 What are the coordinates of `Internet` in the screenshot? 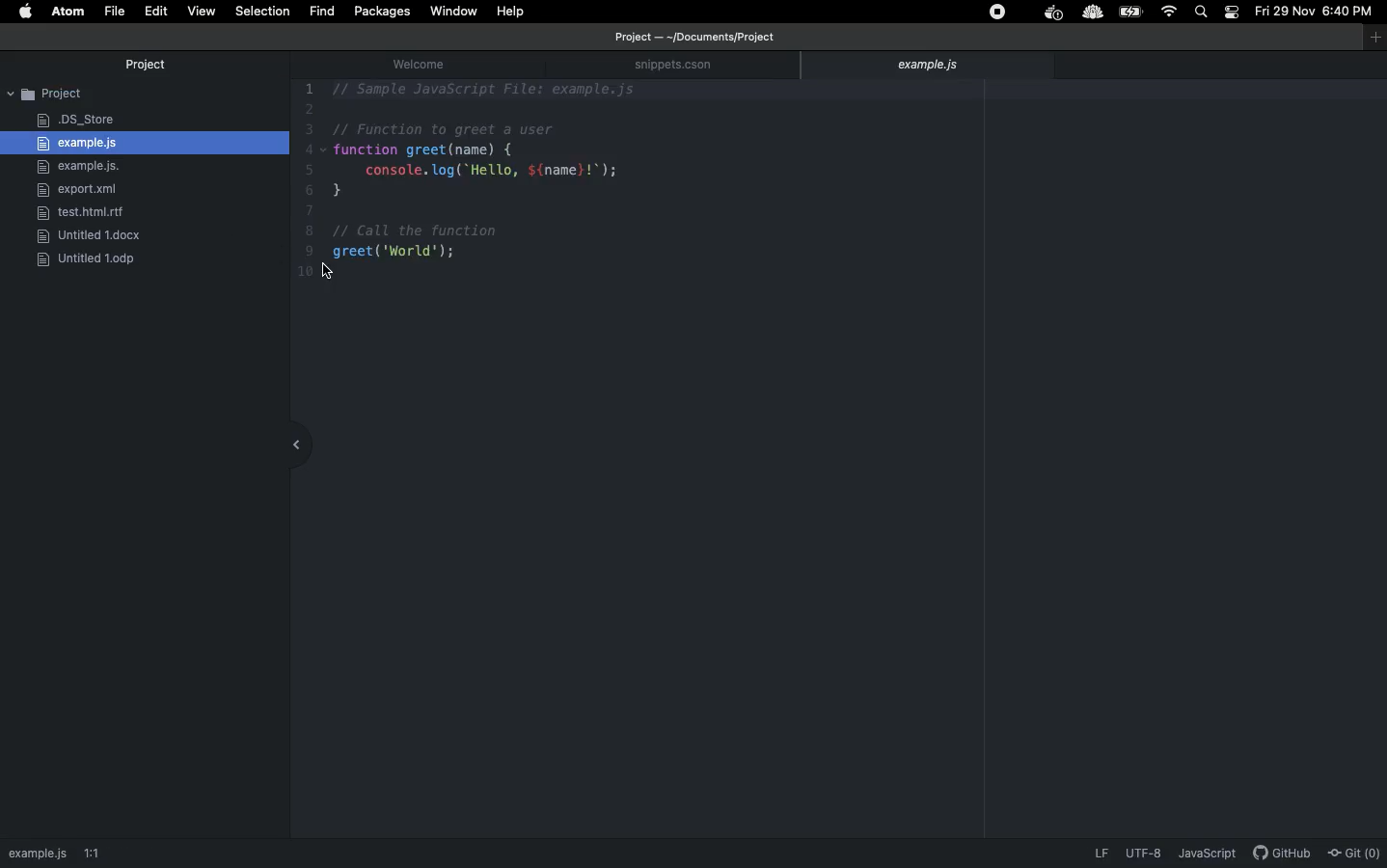 It's located at (1169, 12).